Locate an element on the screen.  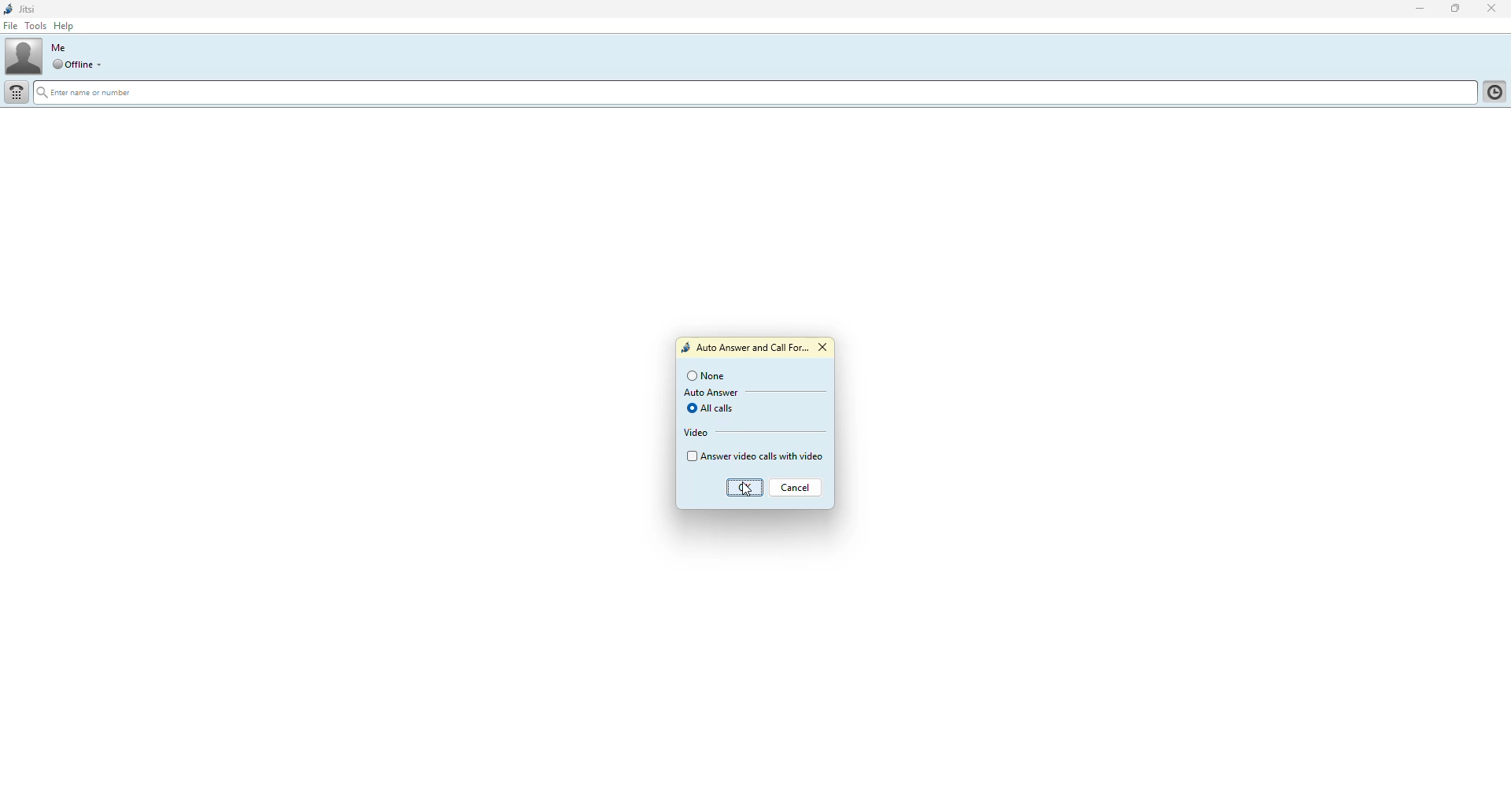
video is located at coordinates (697, 433).